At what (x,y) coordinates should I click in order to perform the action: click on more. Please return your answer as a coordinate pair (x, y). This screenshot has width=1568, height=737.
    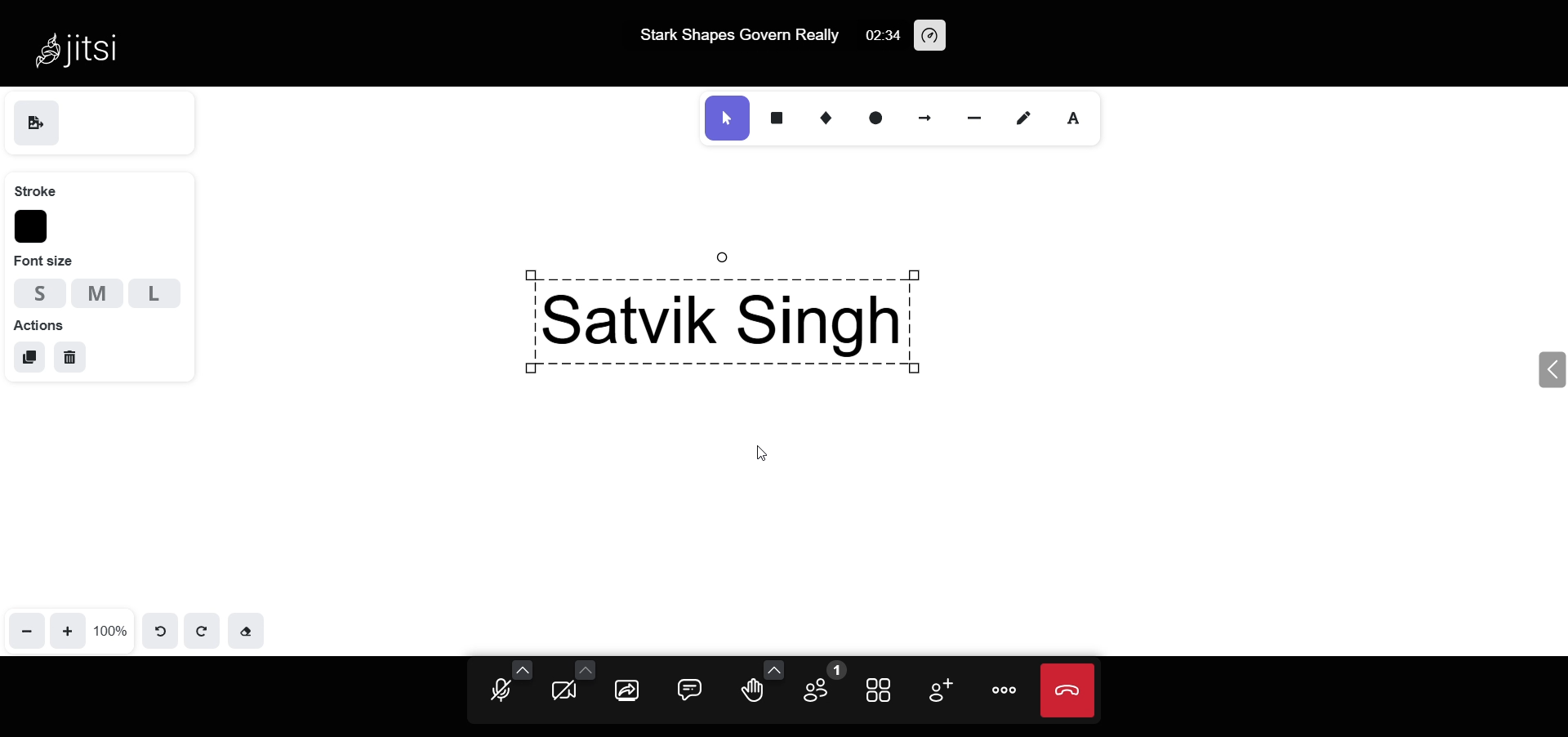
    Looking at the image, I should click on (1003, 690).